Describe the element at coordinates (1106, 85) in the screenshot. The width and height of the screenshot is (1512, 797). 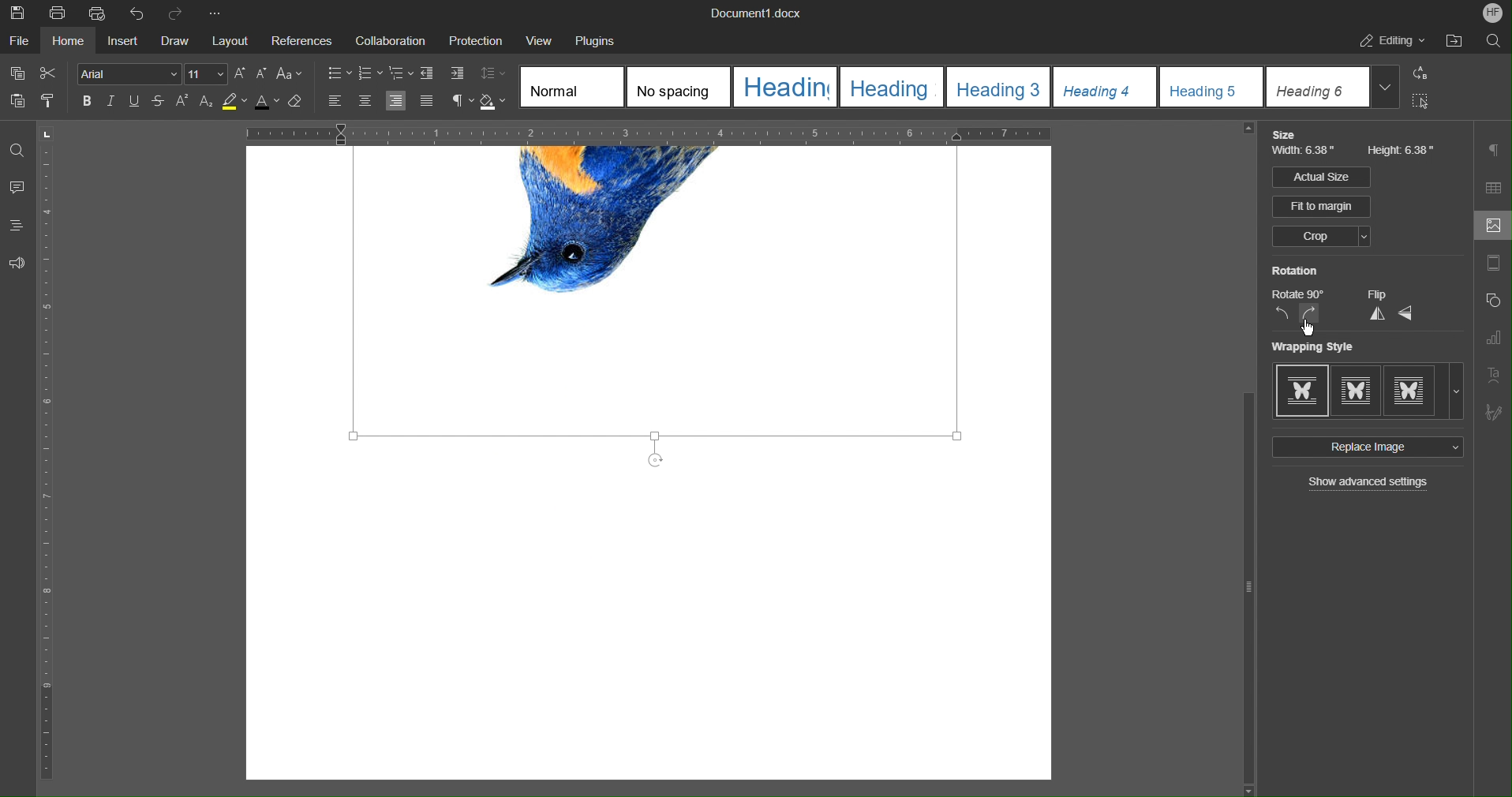
I see `Heading 4` at that location.